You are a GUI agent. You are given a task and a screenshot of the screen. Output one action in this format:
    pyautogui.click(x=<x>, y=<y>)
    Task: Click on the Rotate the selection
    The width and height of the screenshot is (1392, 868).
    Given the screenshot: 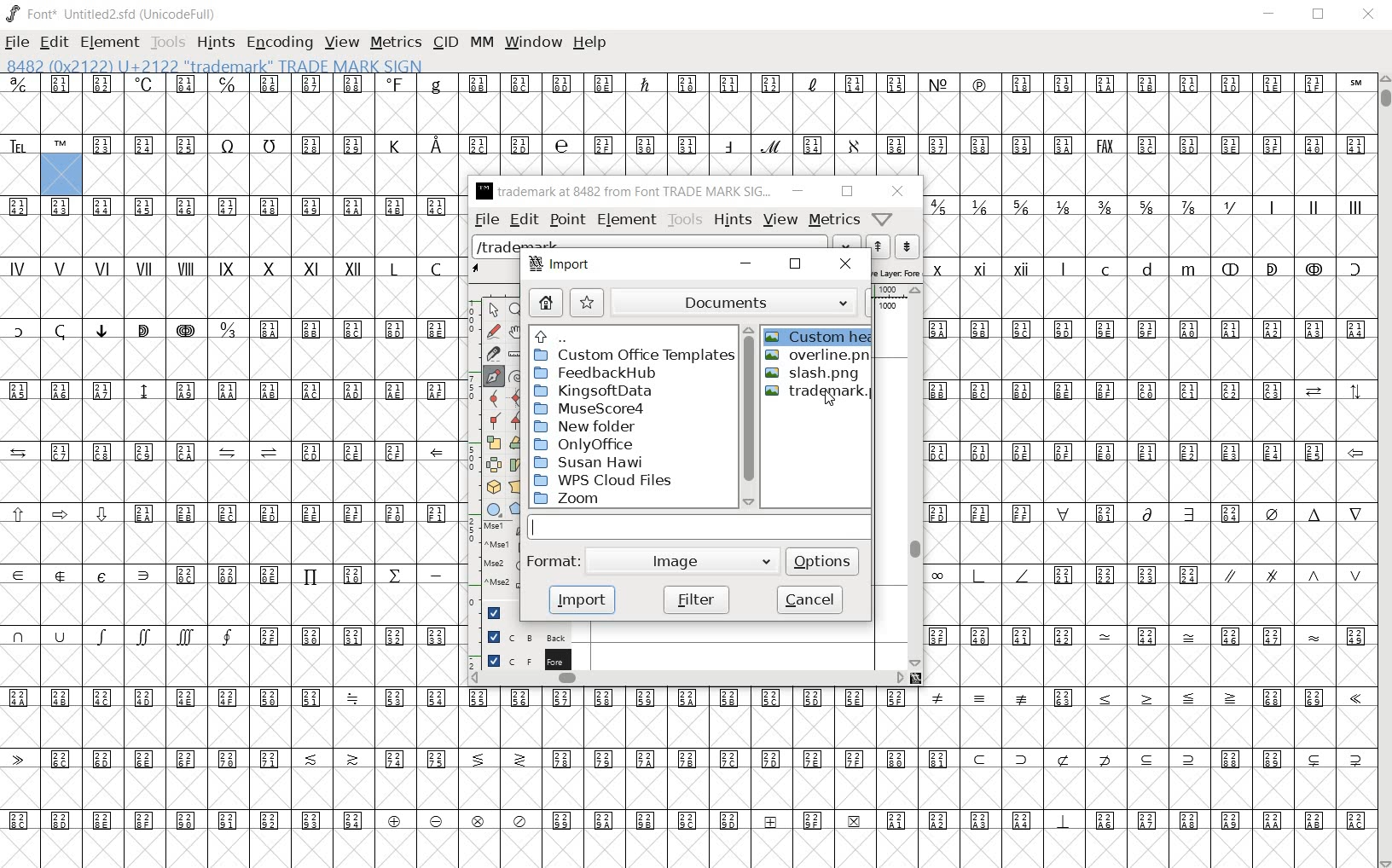 What is the action you would take?
    pyautogui.click(x=516, y=443)
    